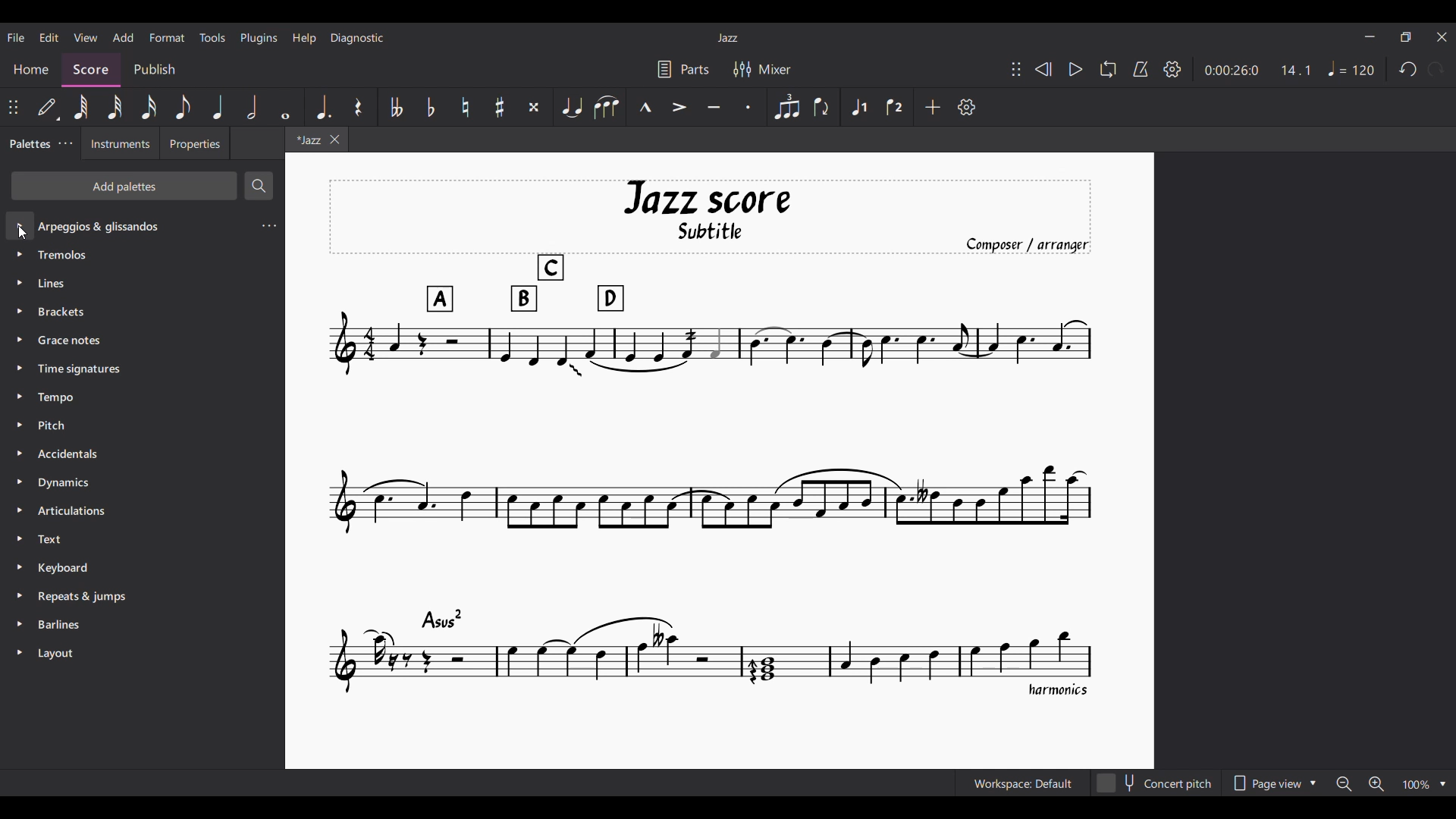 The image size is (1456, 819). I want to click on Concert pitch toggle, so click(1156, 783).